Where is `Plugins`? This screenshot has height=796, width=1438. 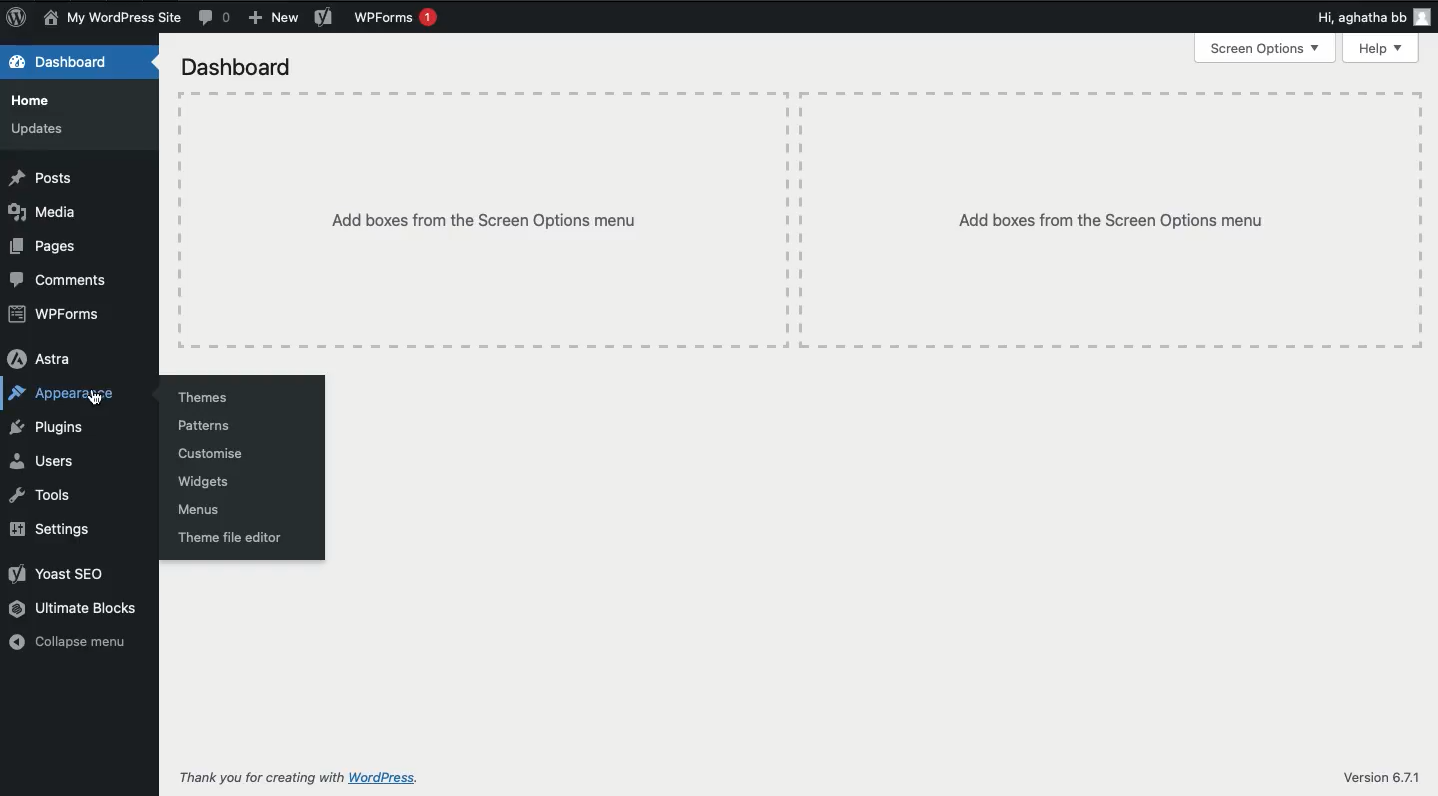 Plugins is located at coordinates (46, 429).